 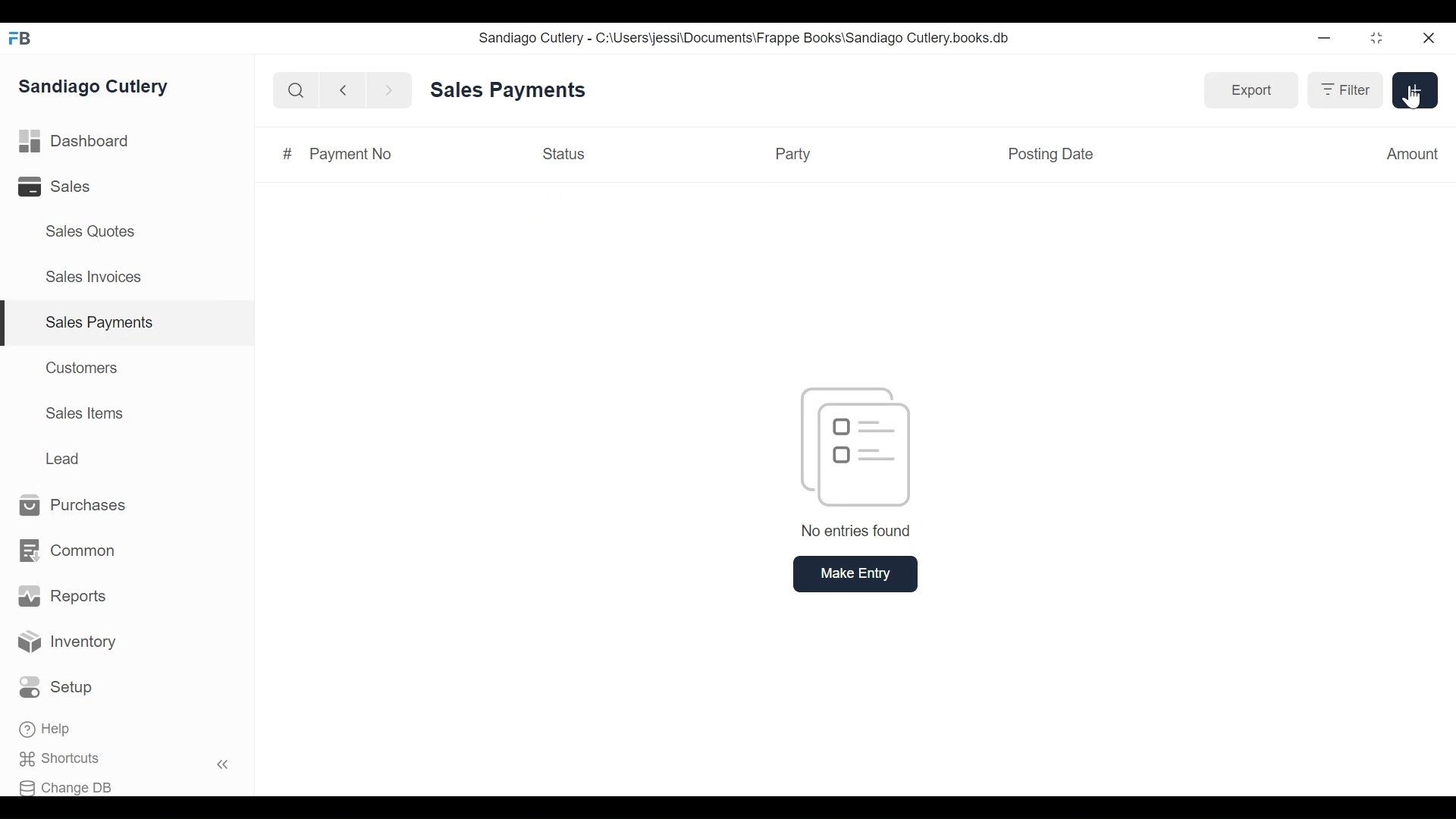 What do you see at coordinates (1411, 155) in the screenshot?
I see `Amount` at bounding box center [1411, 155].